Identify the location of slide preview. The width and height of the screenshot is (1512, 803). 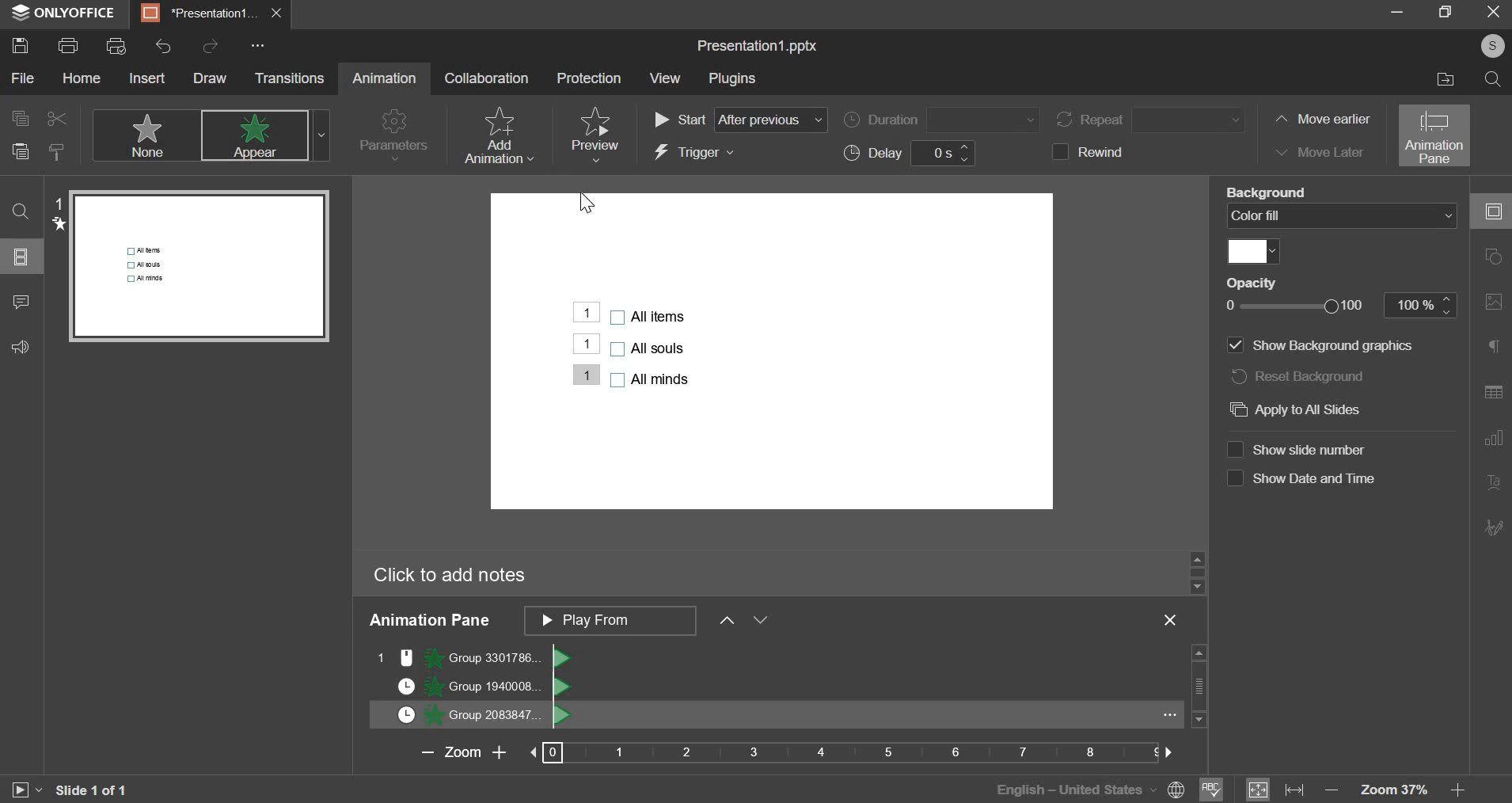
(199, 265).